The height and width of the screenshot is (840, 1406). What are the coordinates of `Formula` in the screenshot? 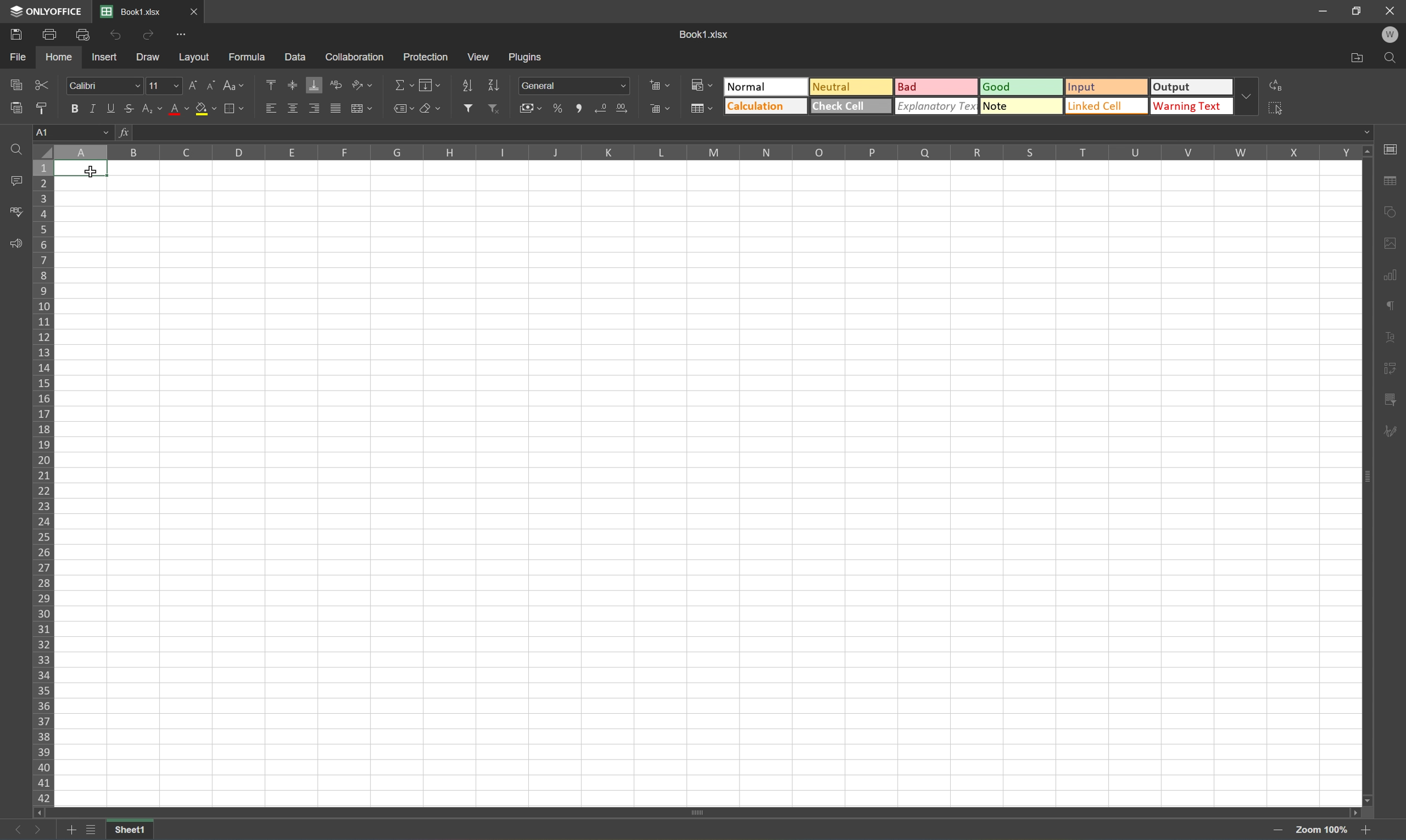 It's located at (251, 56).